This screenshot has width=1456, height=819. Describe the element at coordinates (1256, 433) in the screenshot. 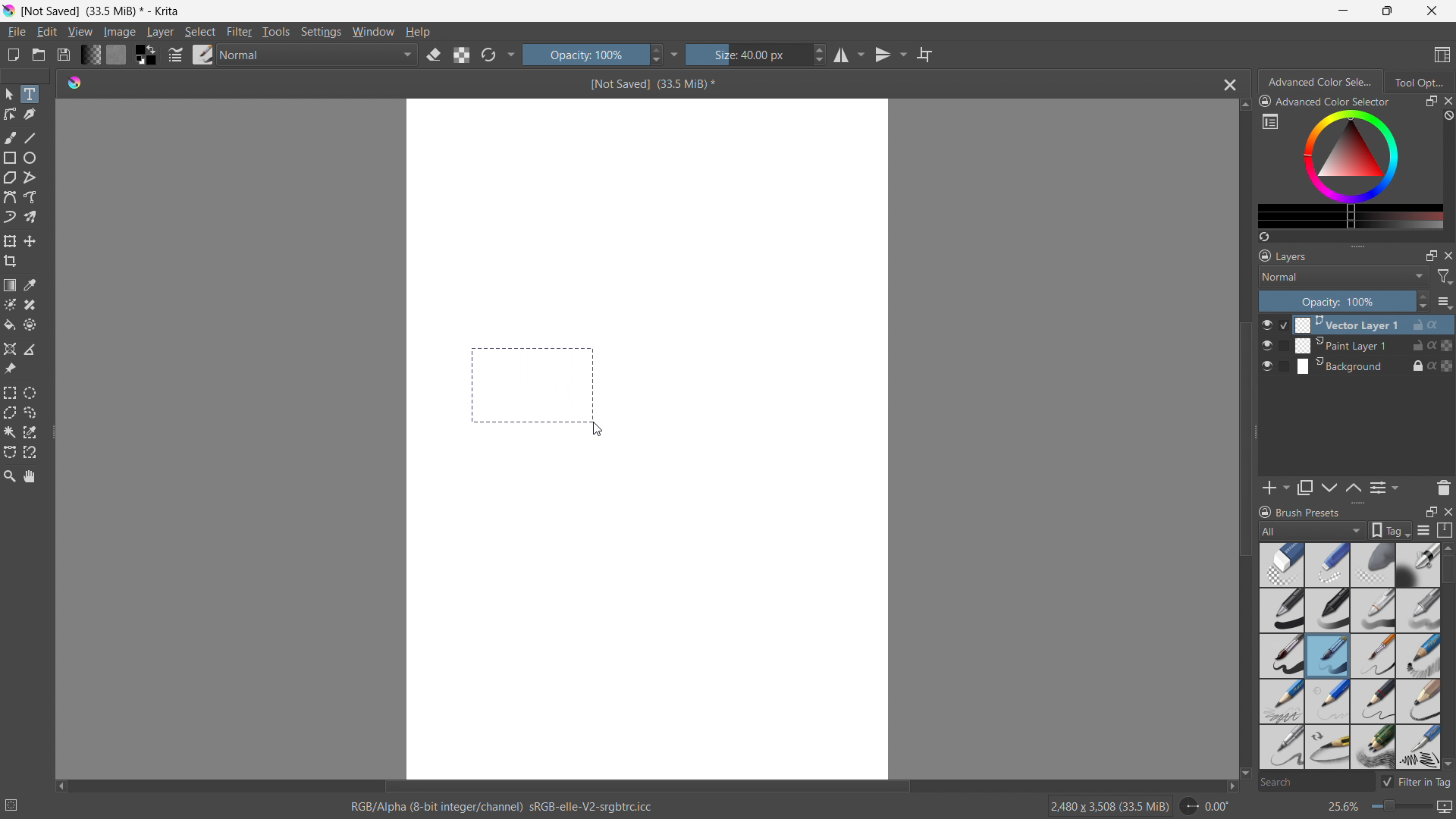

I see `resize` at that location.